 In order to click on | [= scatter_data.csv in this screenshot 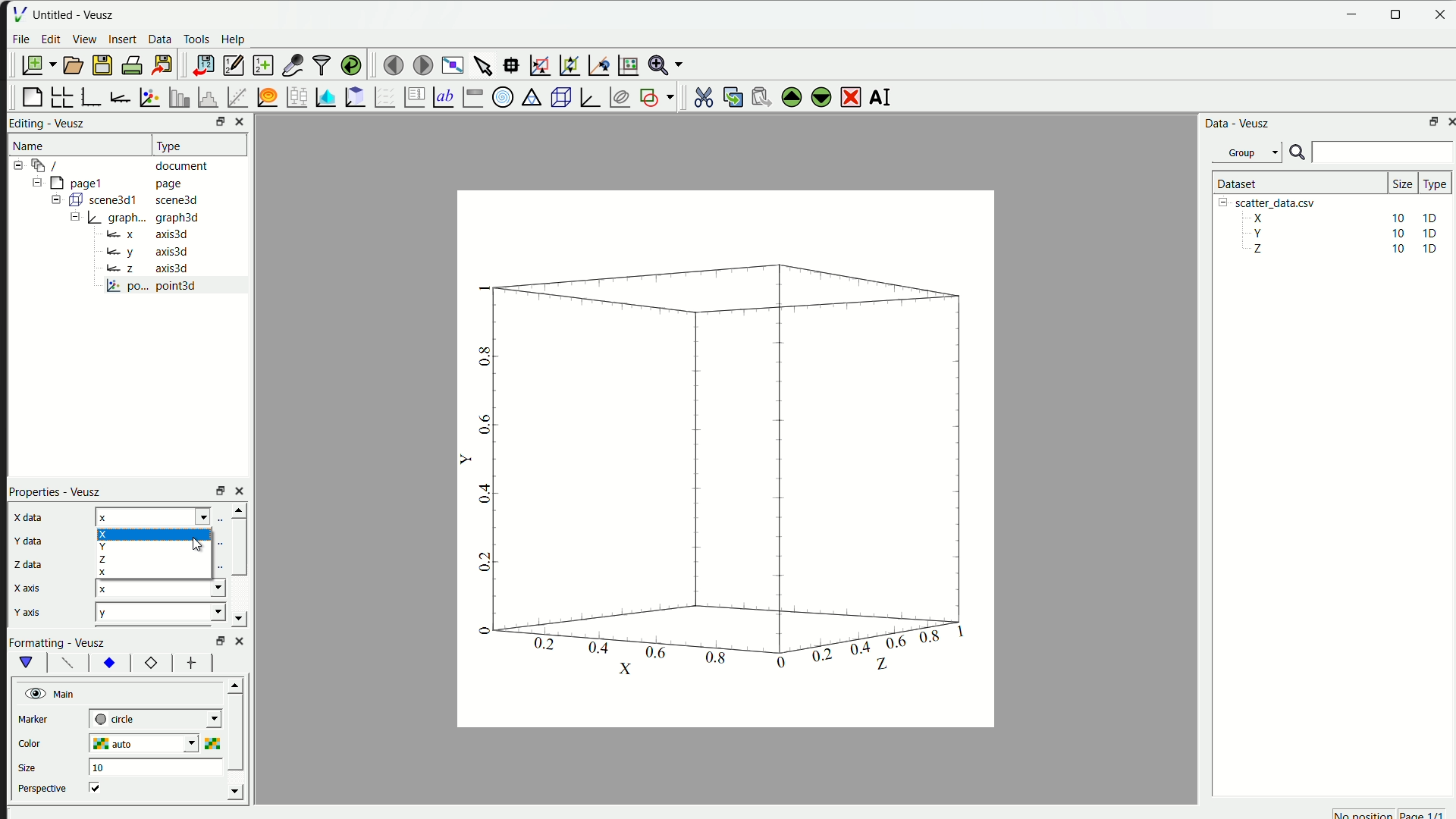, I will do `click(1272, 201)`.